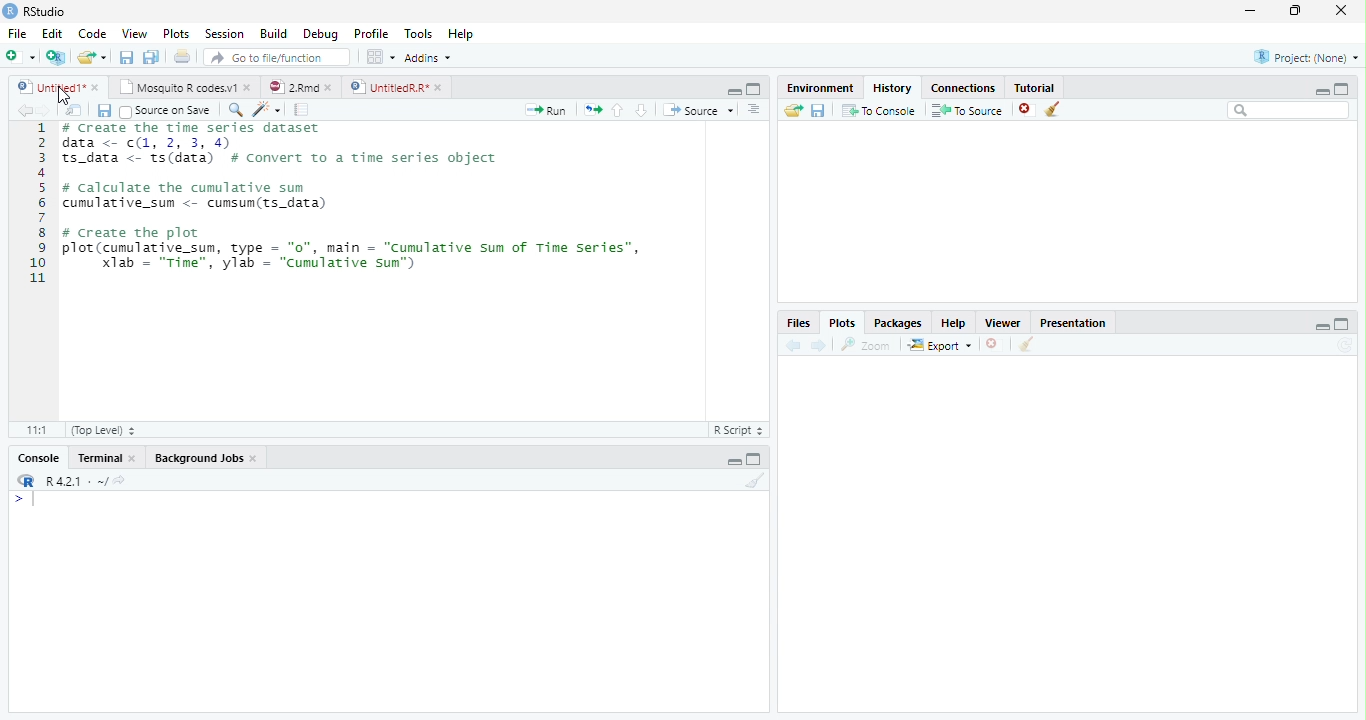 This screenshot has width=1366, height=720. Describe the element at coordinates (95, 35) in the screenshot. I see `Code` at that location.